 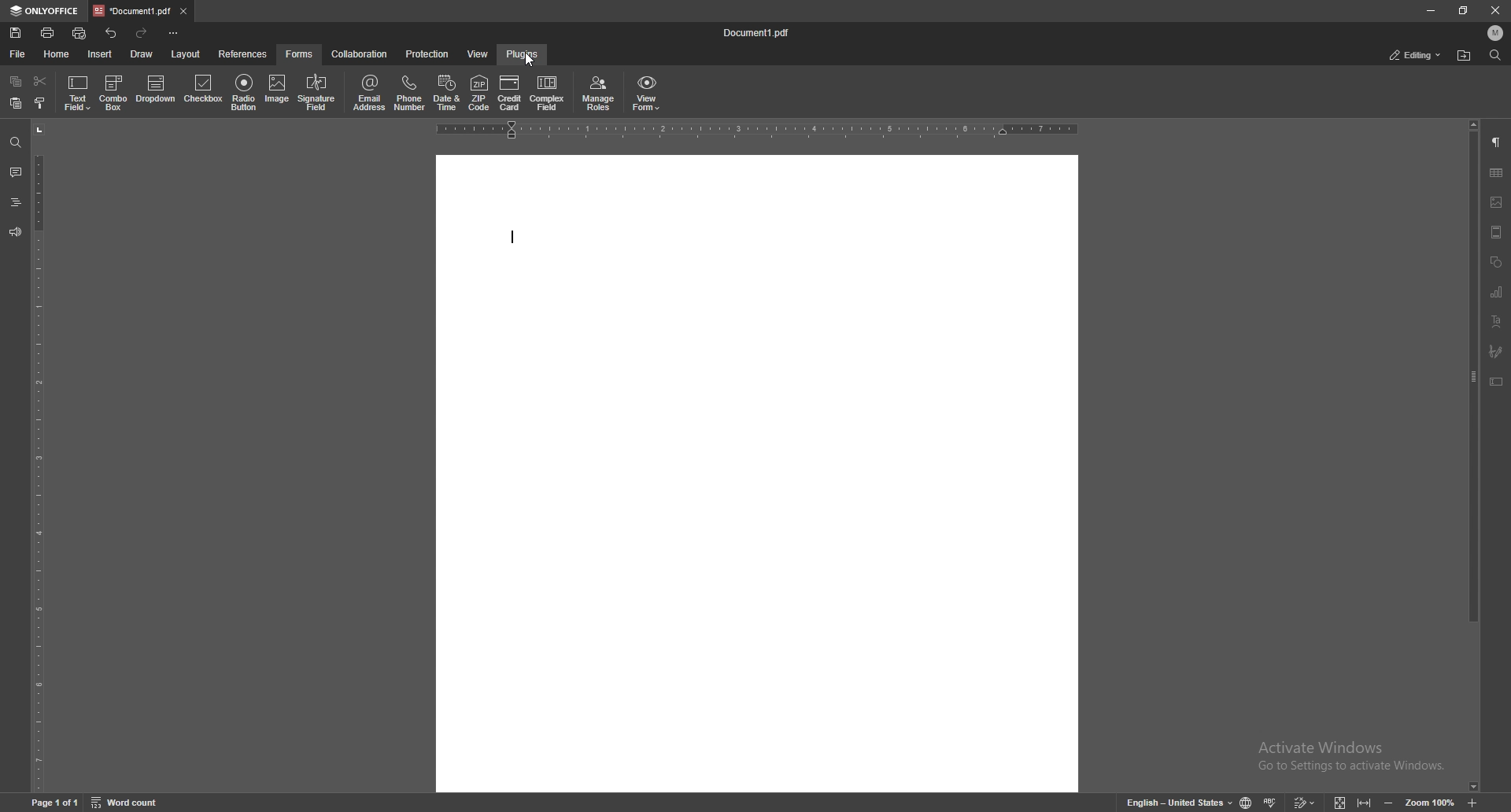 What do you see at coordinates (1431, 802) in the screenshot?
I see `zoom` at bounding box center [1431, 802].